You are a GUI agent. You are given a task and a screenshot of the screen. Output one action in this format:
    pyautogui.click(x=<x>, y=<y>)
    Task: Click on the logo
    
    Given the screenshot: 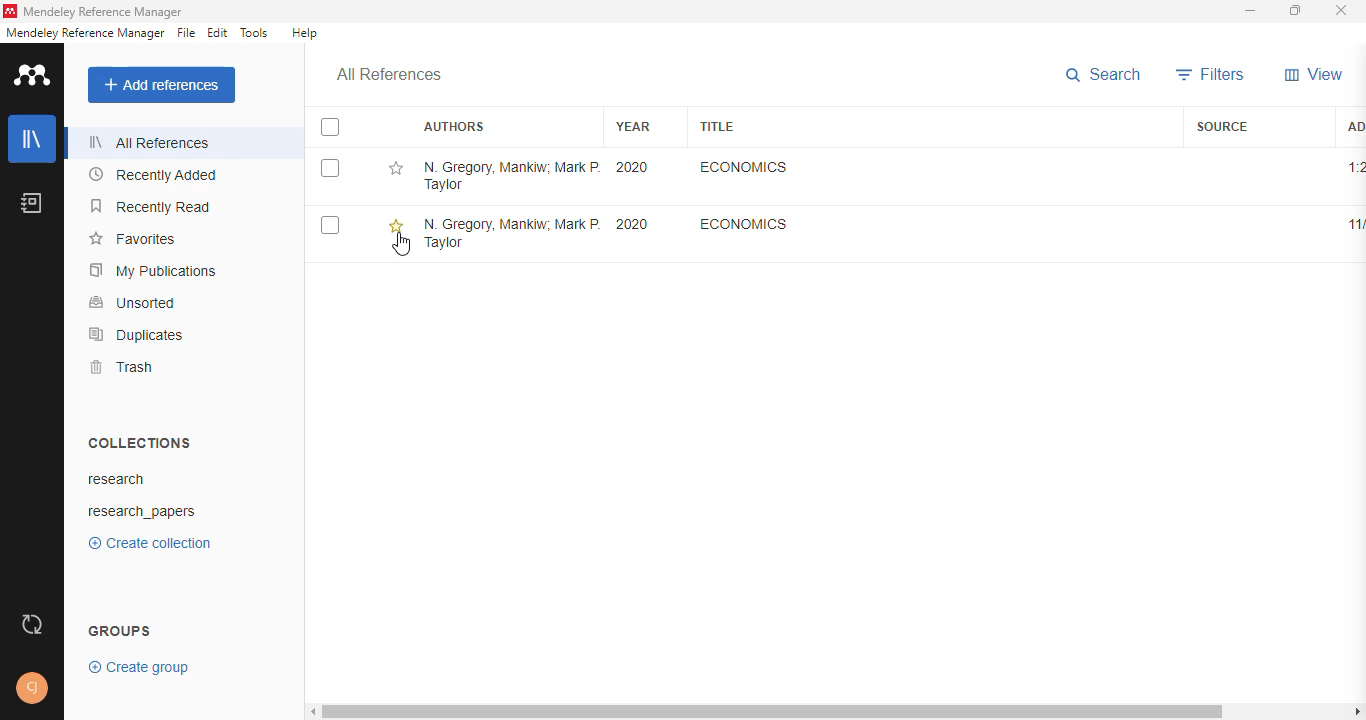 What is the action you would take?
    pyautogui.click(x=10, y=11)
    